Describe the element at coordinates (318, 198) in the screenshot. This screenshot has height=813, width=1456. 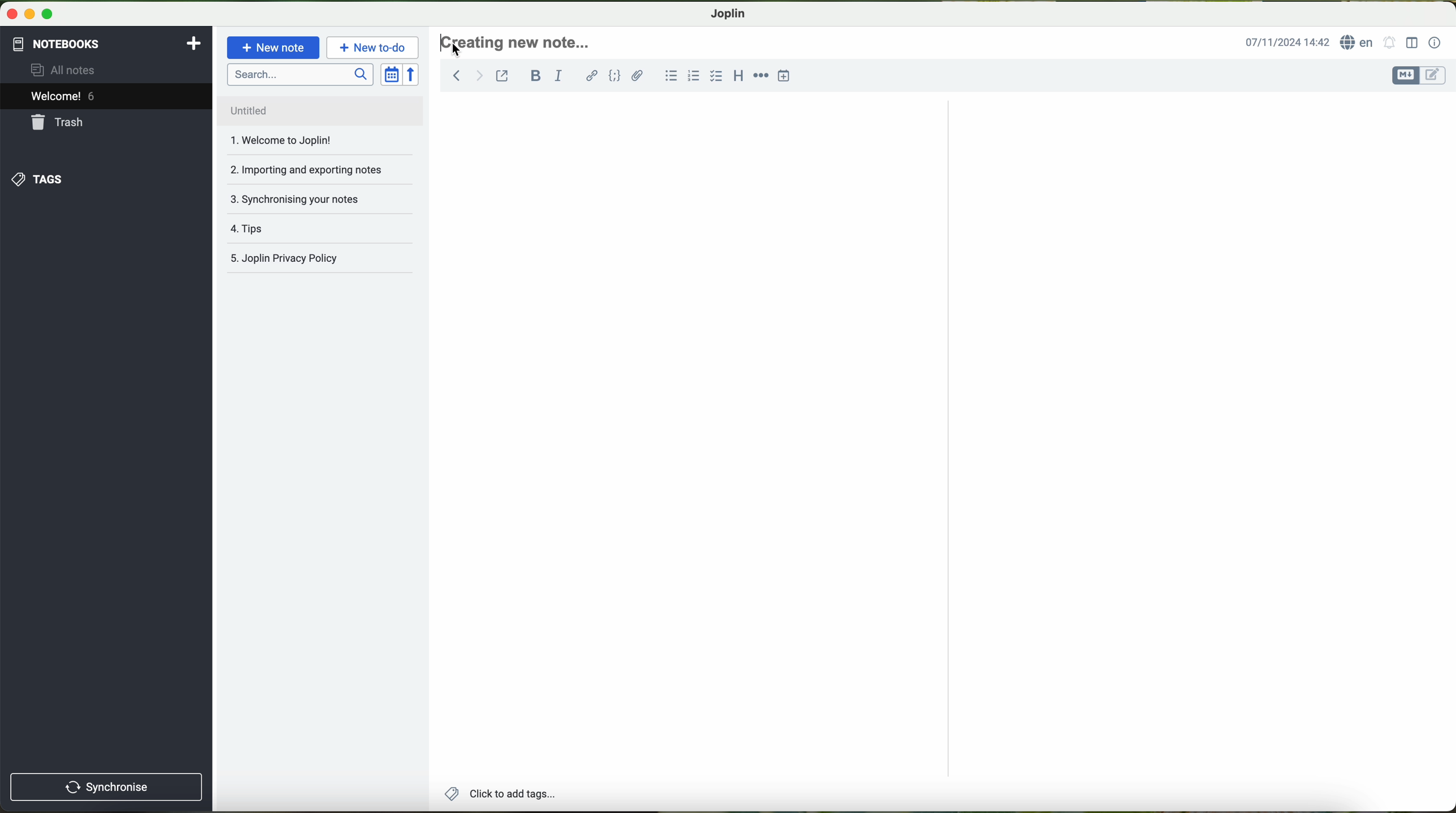
I see `synchronising your notes` at that location.